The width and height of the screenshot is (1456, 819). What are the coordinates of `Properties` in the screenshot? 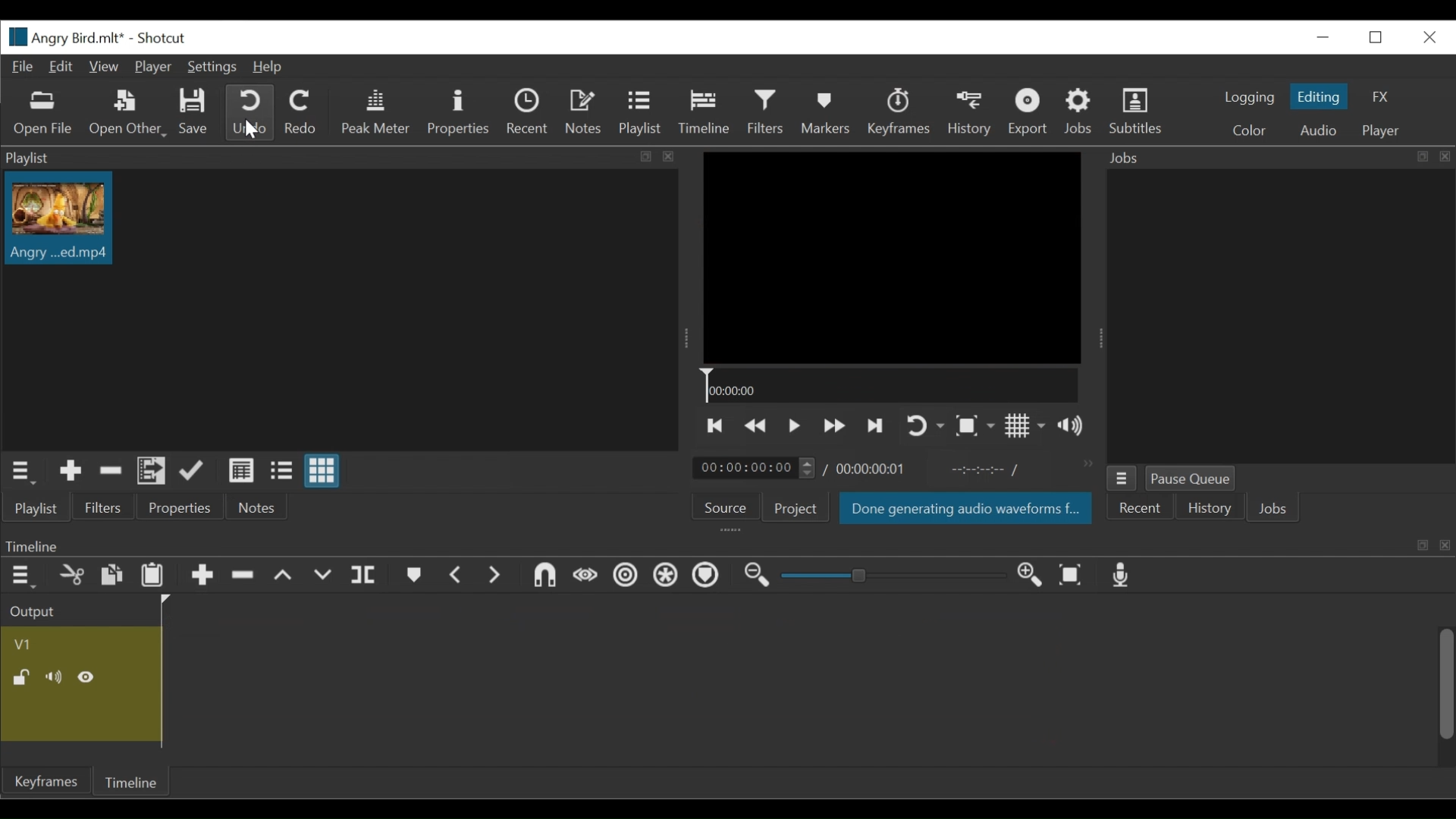 It's located at (180, 506).